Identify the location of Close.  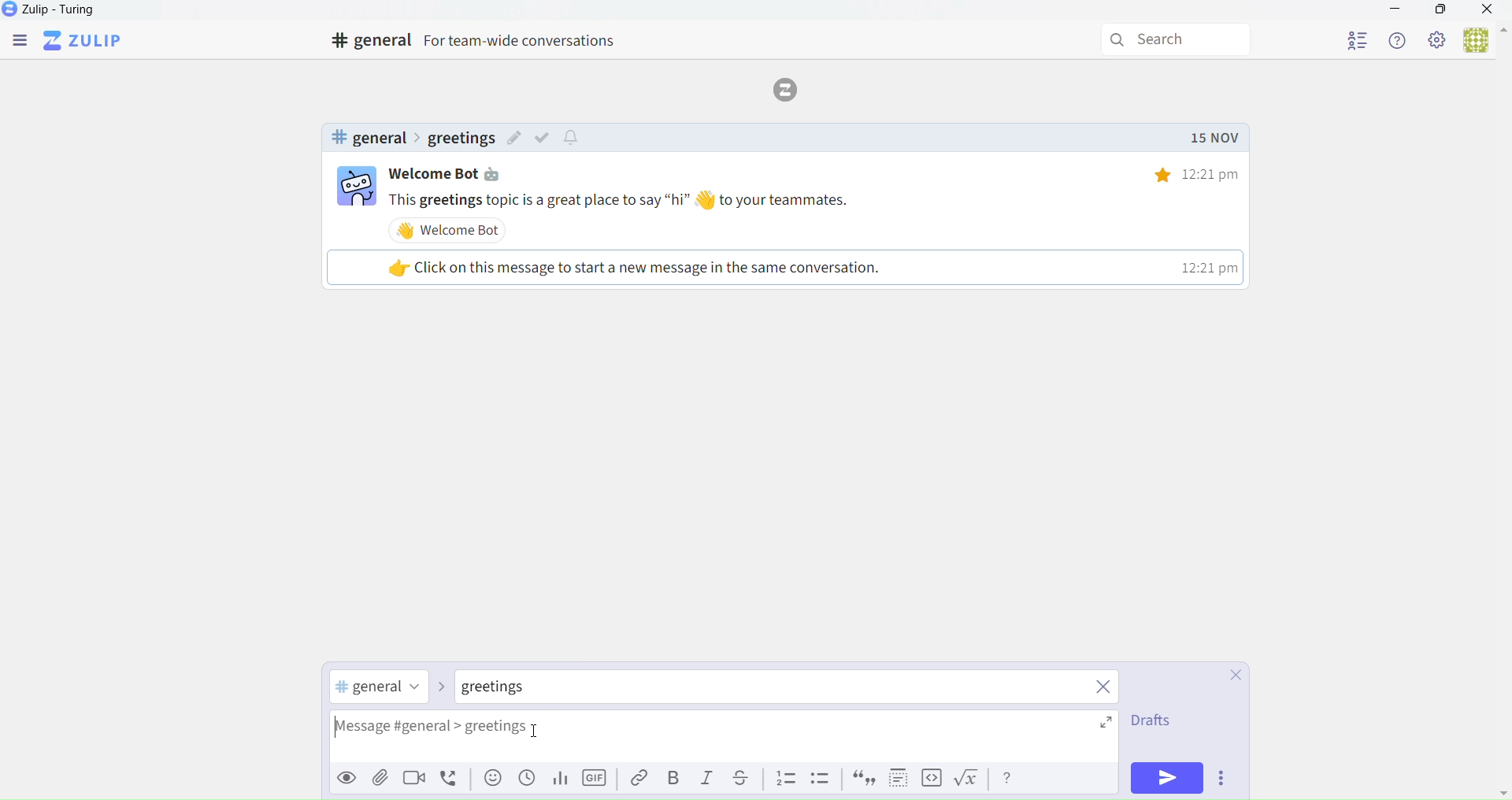
(1228, 676).